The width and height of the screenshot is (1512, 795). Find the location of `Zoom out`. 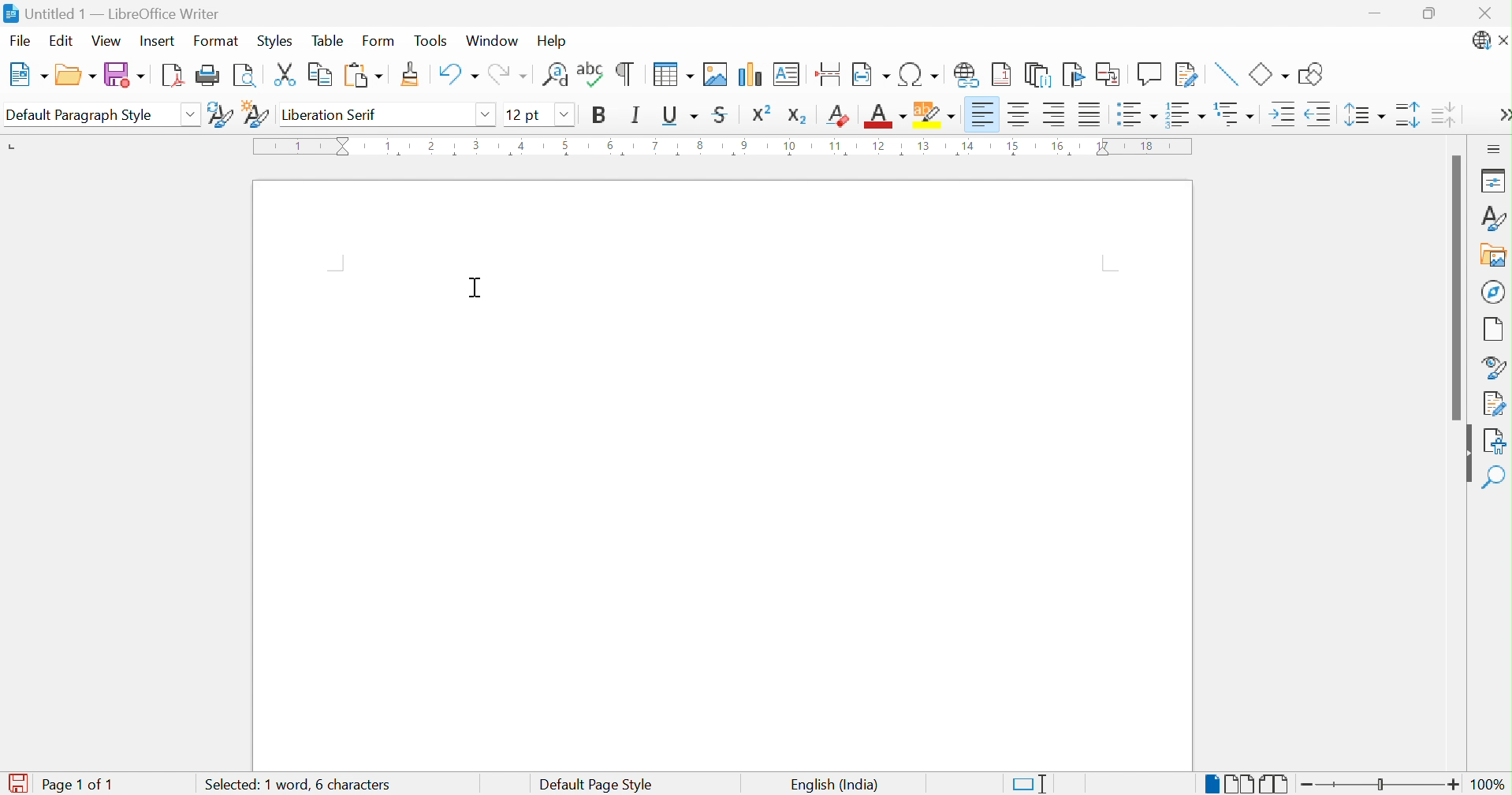

Zoom out is located at coordinates (1313, 787).